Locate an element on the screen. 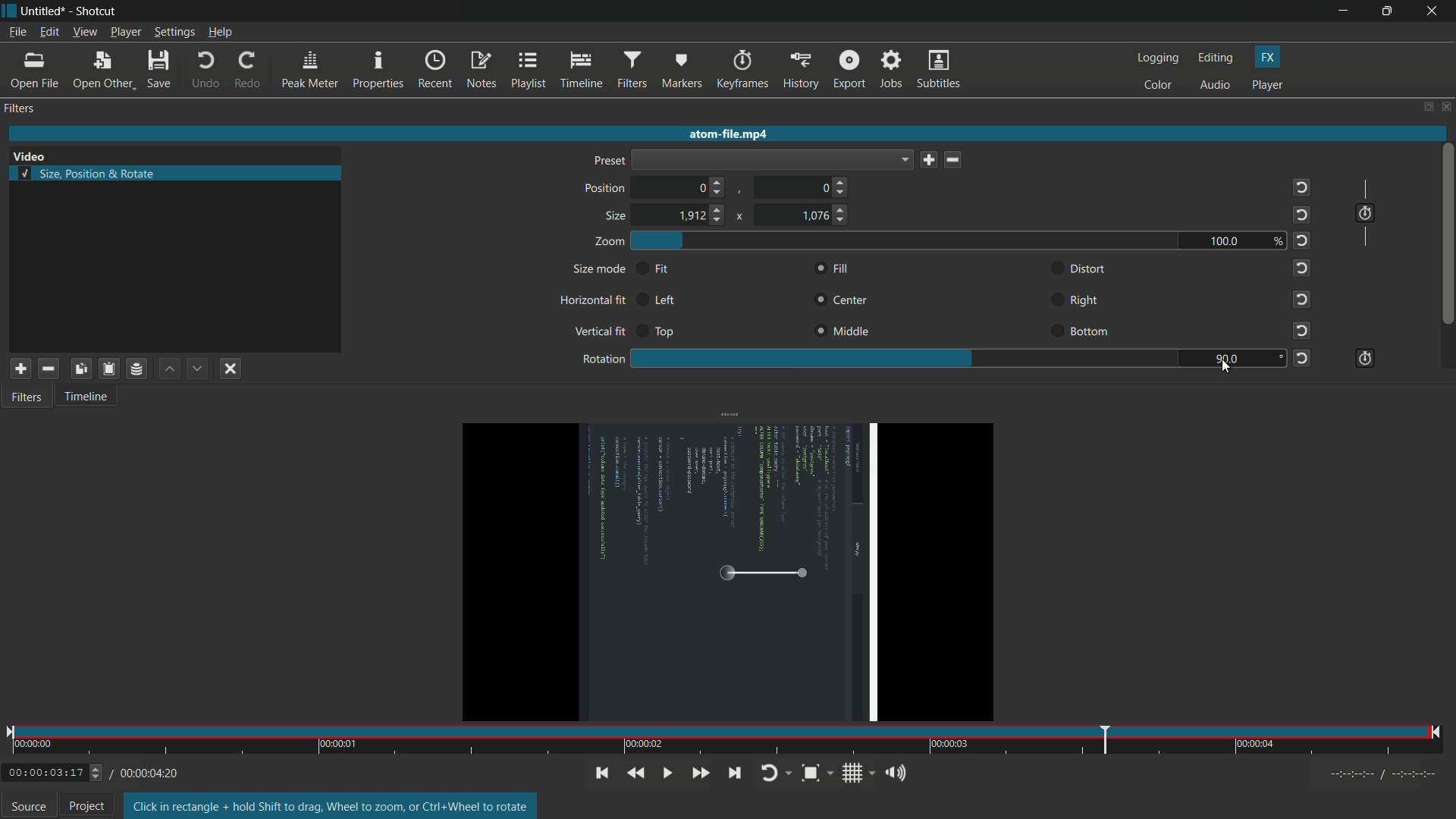  quickly play backward is located at coordinates (638, 773).